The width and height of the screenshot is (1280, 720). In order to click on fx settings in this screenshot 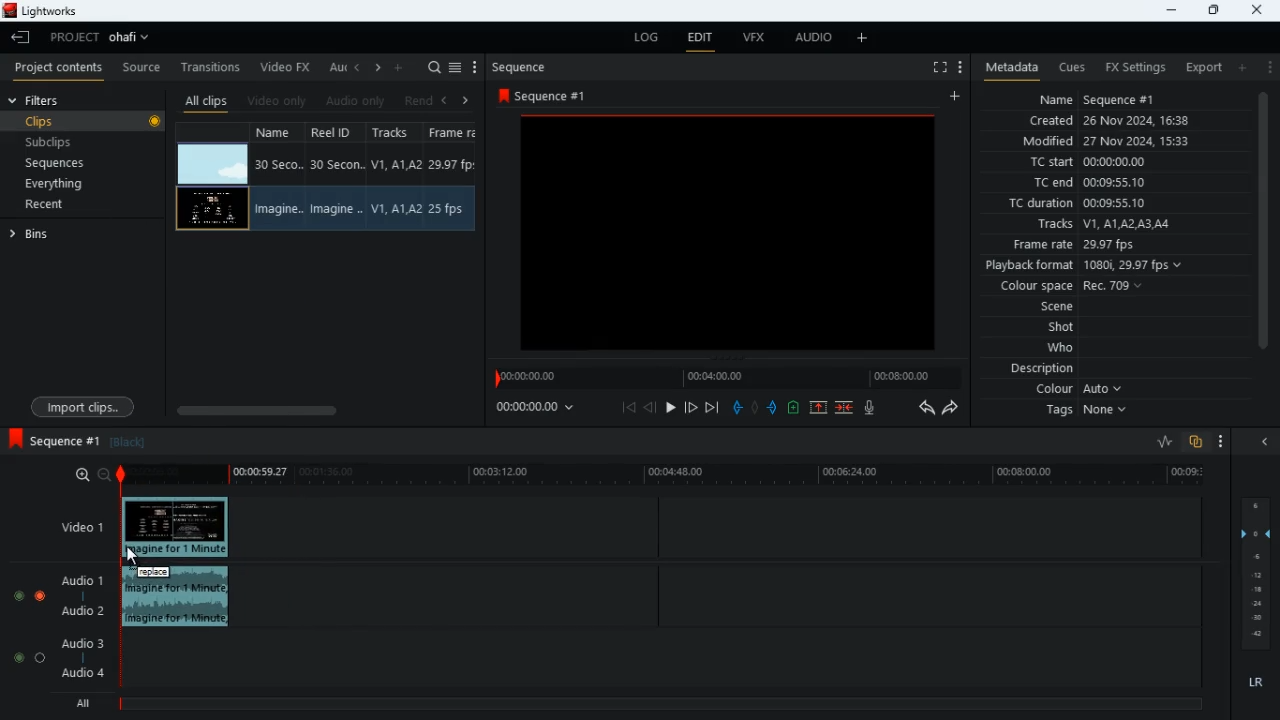, I will do `click(1133, 65)`.